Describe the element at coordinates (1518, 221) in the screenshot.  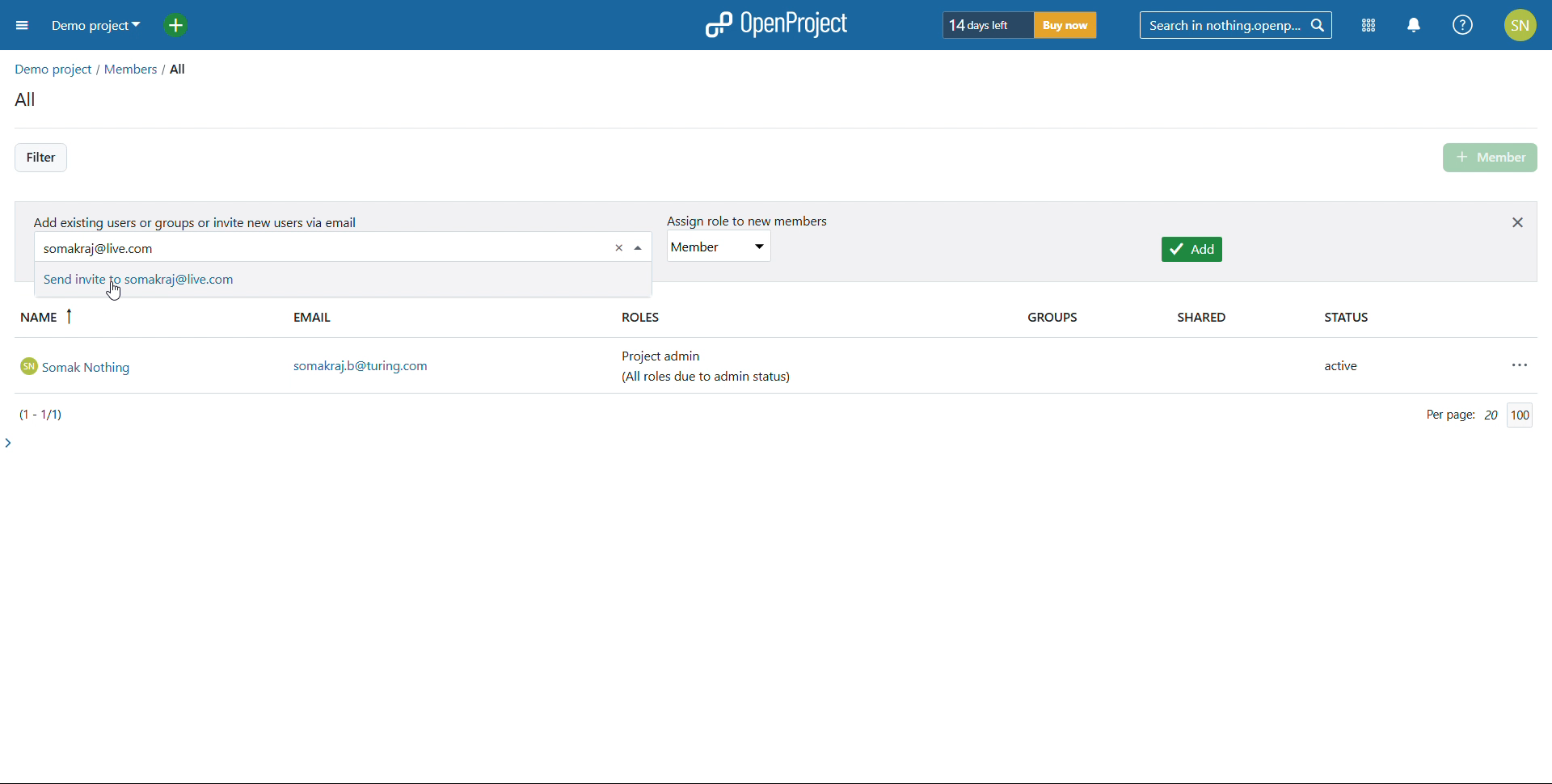
I see `close` at that location.